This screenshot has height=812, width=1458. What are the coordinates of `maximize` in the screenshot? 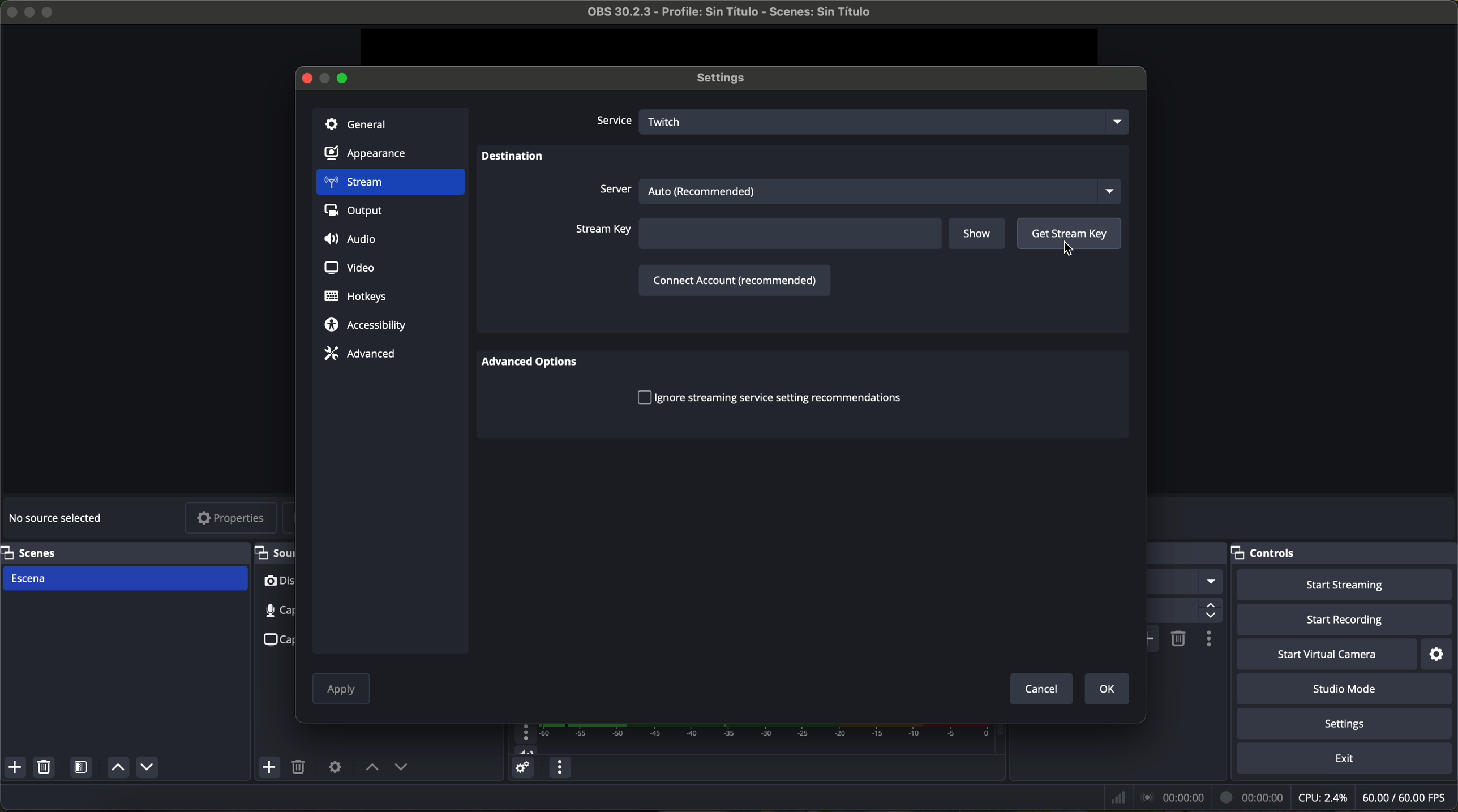 It's located at (50, 12).